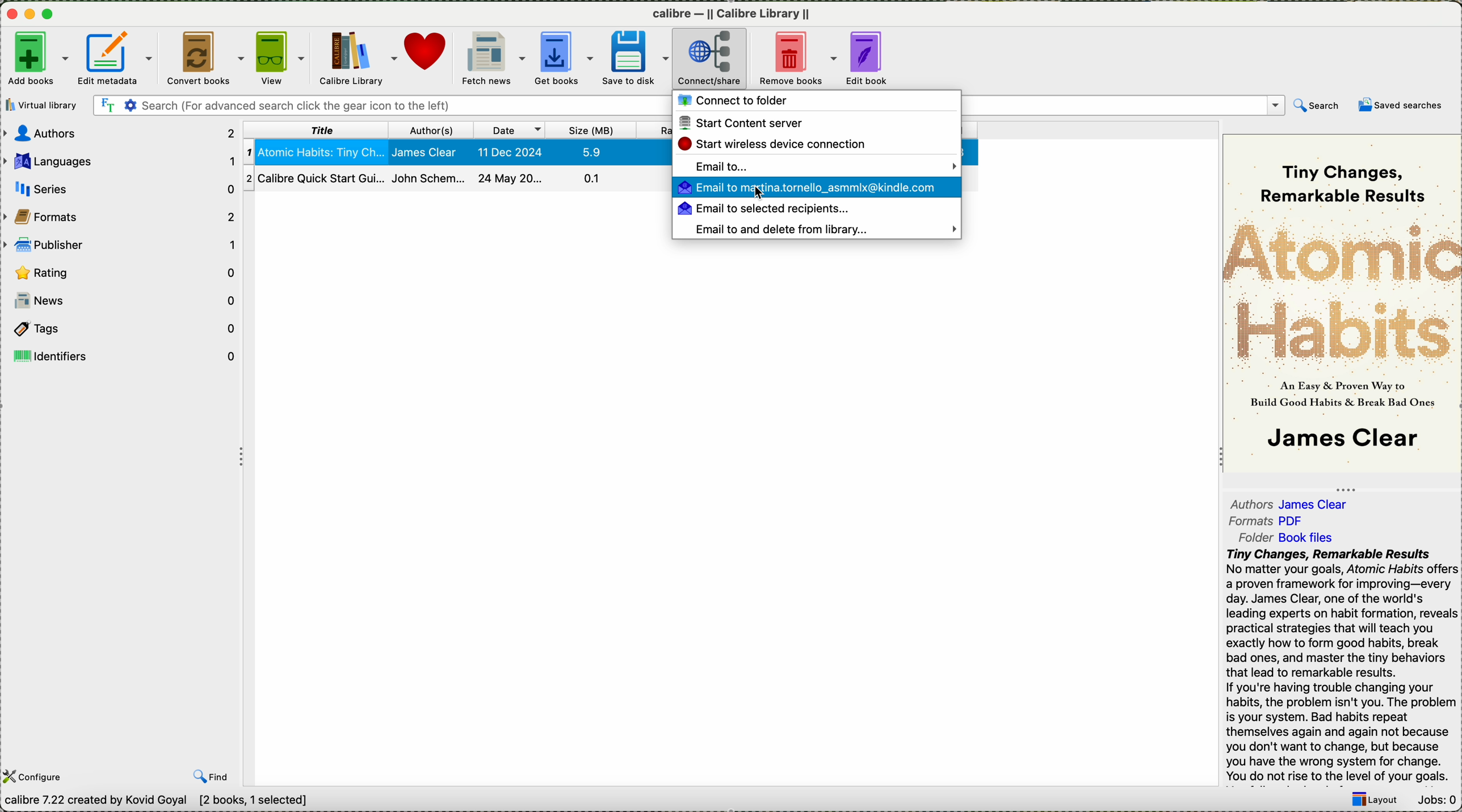 Image resolution: width=1462 pixels, height=812 pixels. Describe the element at coordinates (638, 59) in the screenshot. I see `save to disk` at that location.